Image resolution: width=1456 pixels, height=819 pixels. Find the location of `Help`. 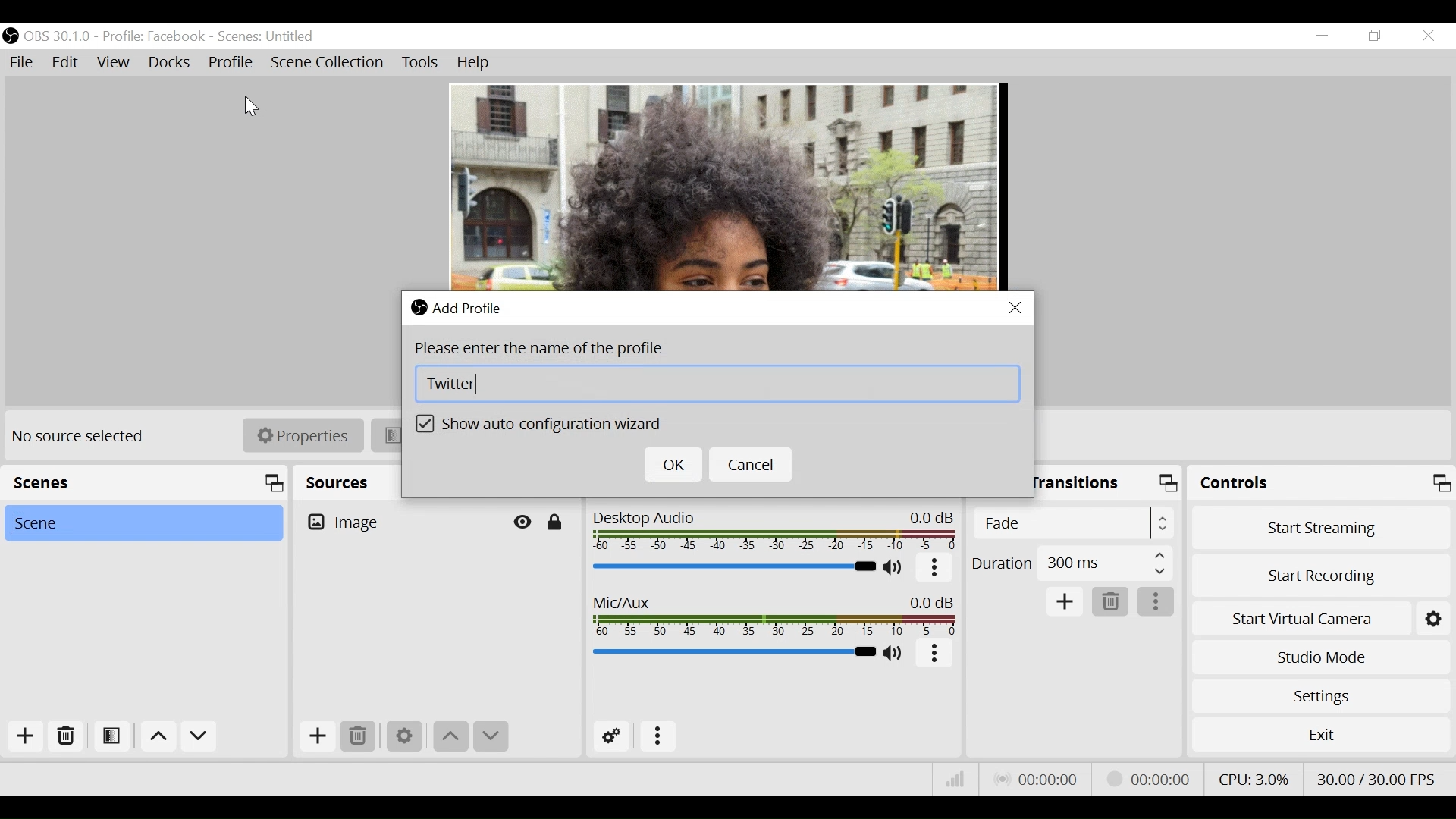

Help is located at coordinates (471, 63).